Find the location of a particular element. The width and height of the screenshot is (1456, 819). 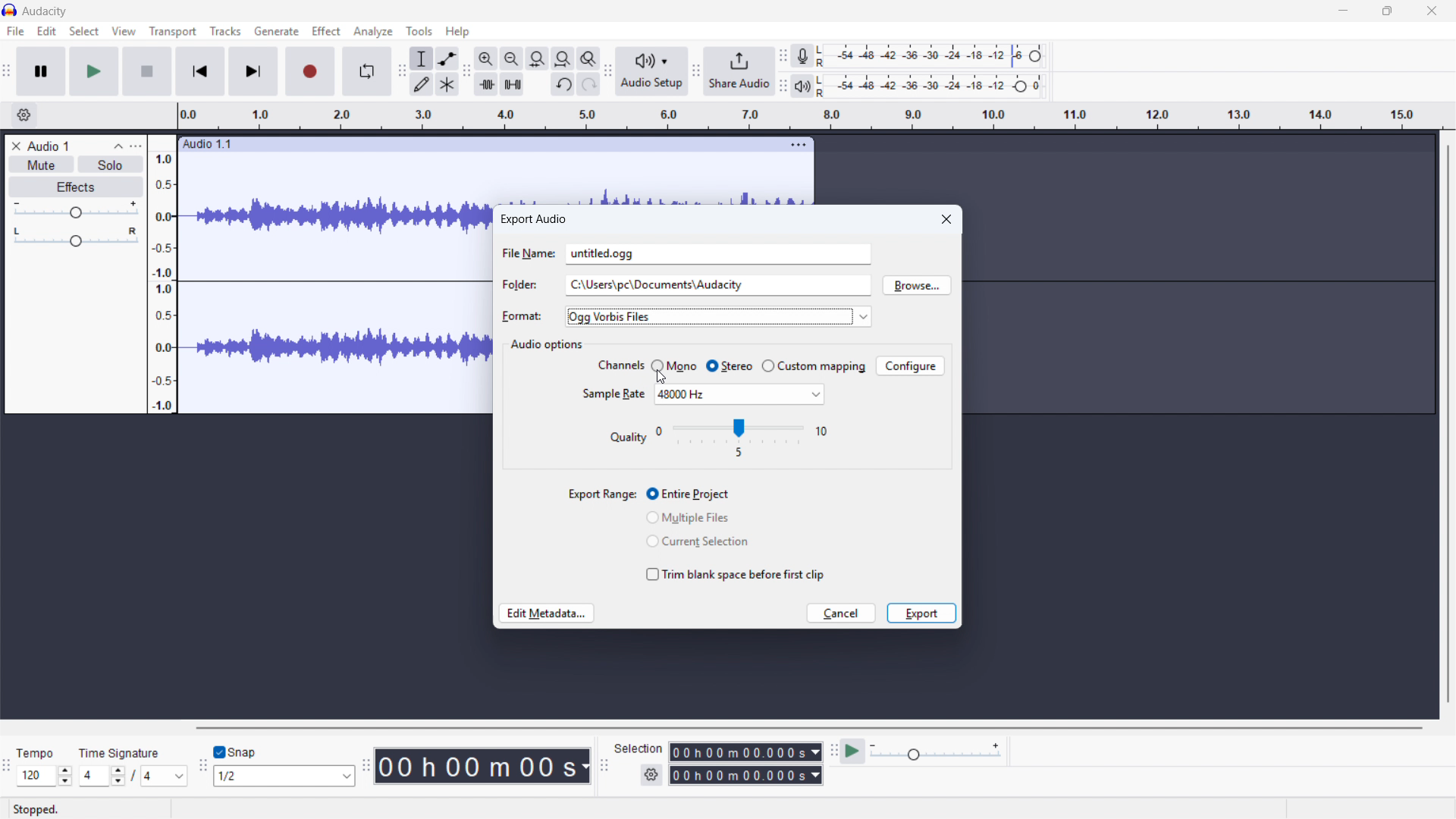

maximise  is located at coordinates (1388, 11).